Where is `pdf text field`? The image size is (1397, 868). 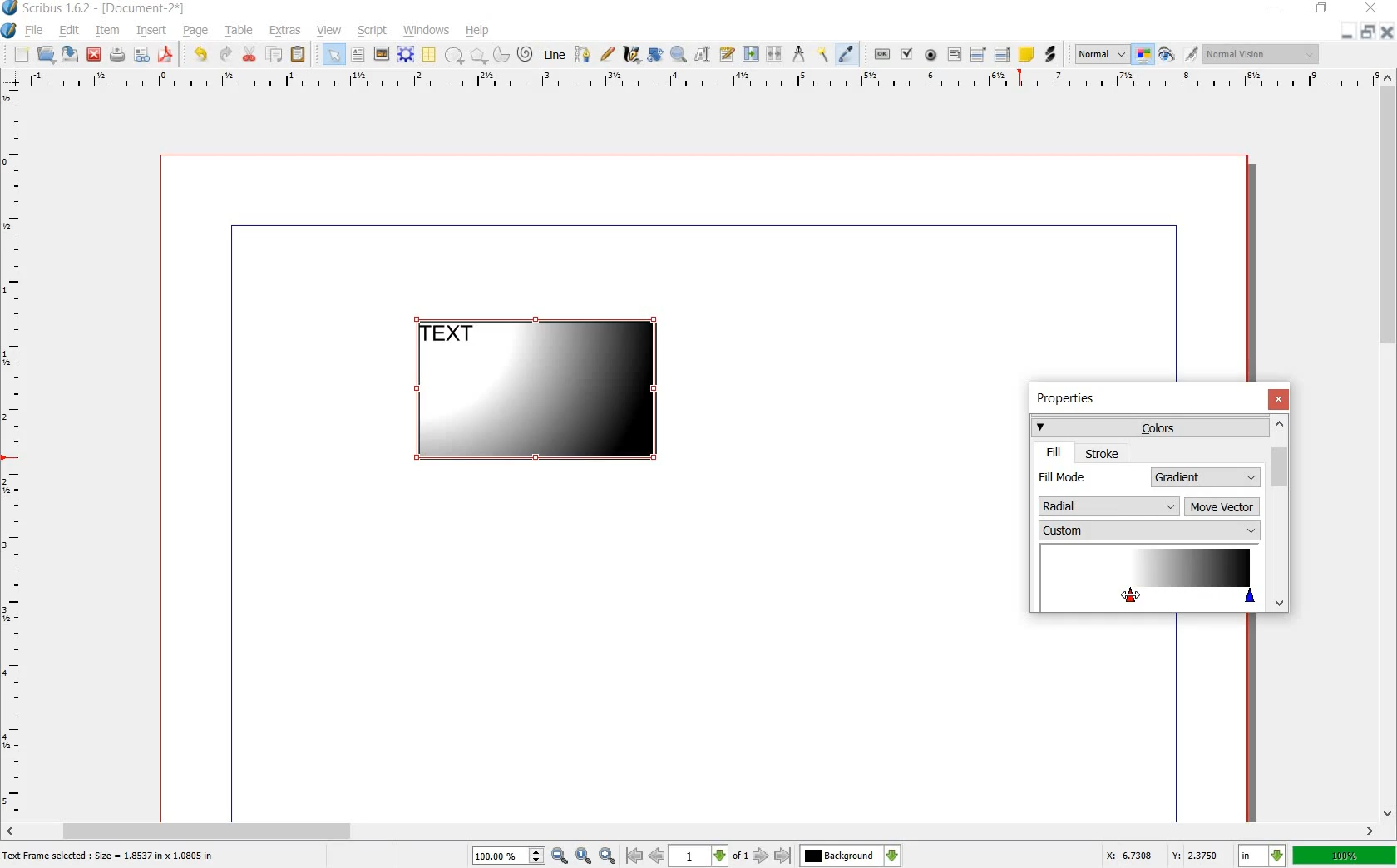 pdf text field is located at coordinates (954, 54).